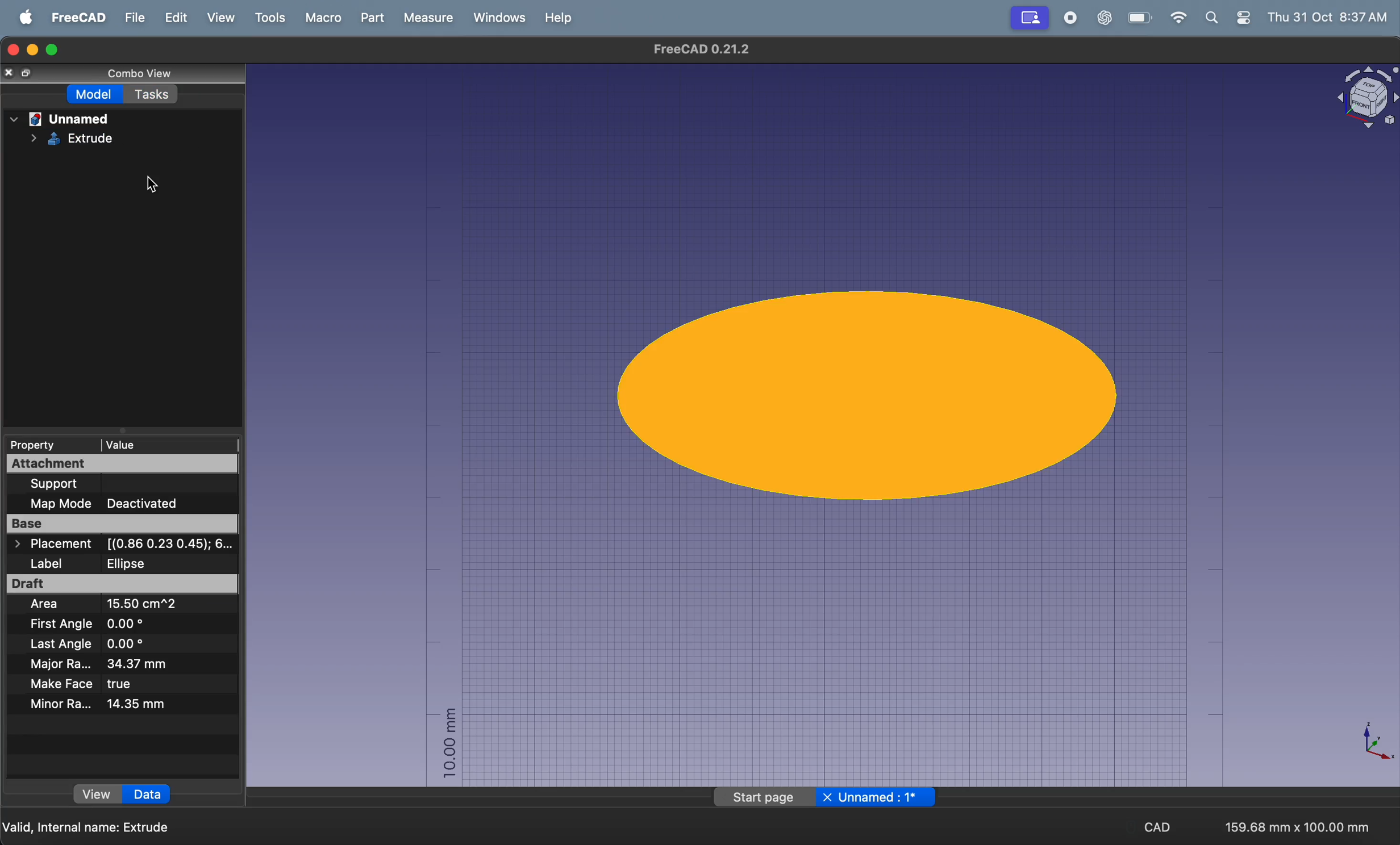 The image size is (1400, 845). What do you see at coordinates (423, 18) in the screenshot?
I see `measure` at bounding box center [423, 18].